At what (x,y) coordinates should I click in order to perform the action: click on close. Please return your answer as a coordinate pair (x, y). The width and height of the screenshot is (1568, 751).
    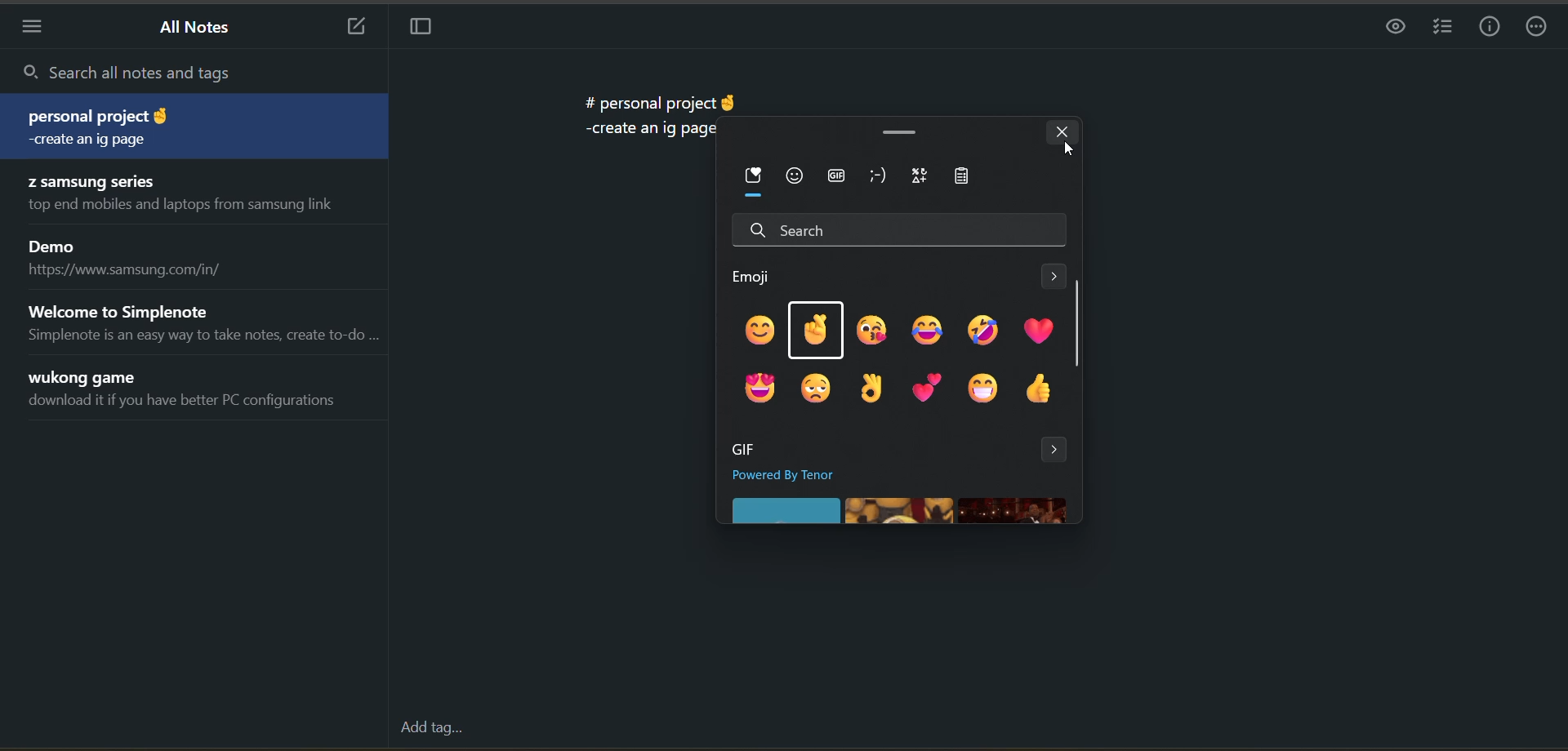
    Looking at the image, I should click on (1064, 135).